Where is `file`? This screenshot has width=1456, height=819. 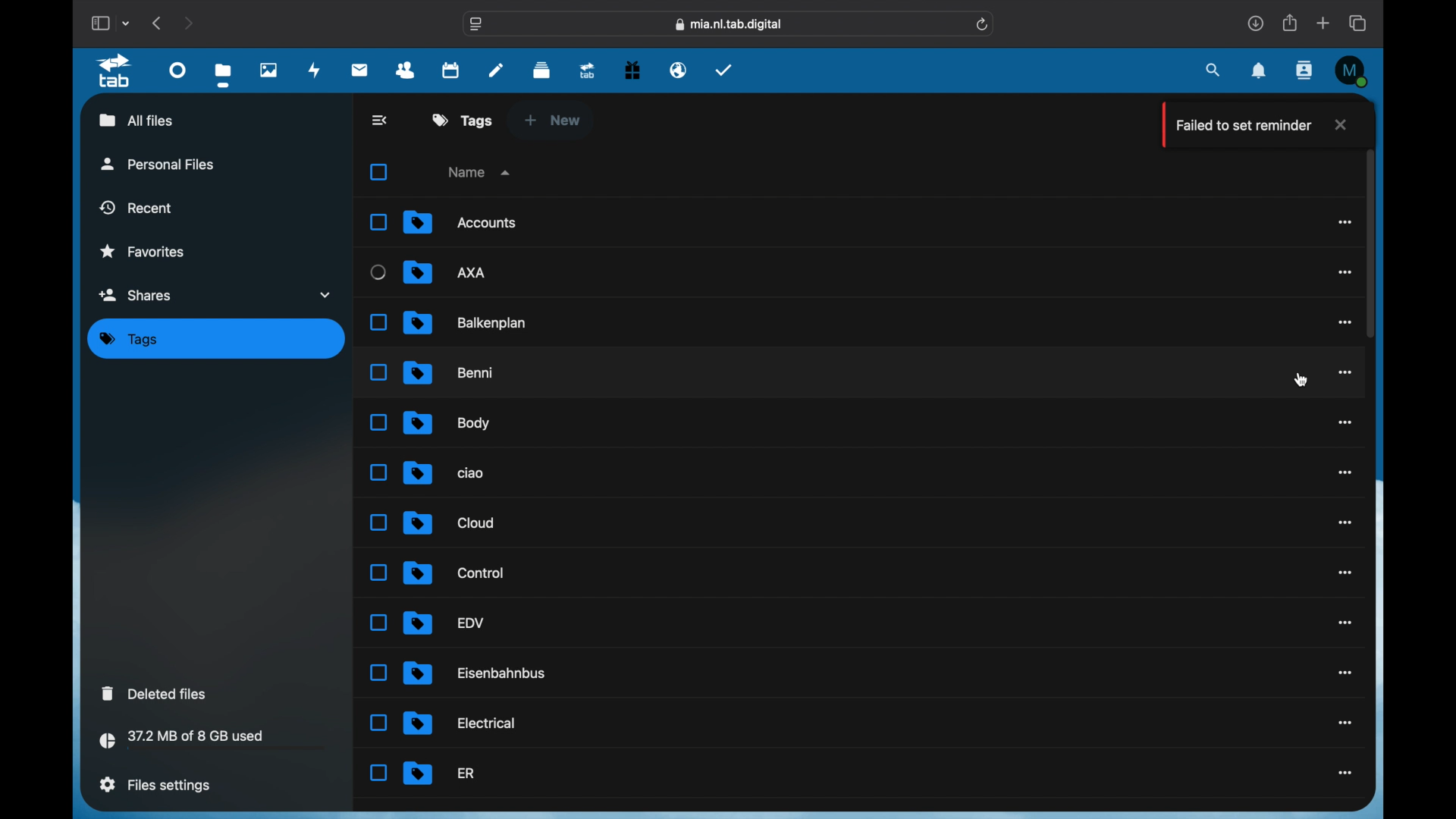 file is located at coordinates (453, 573).